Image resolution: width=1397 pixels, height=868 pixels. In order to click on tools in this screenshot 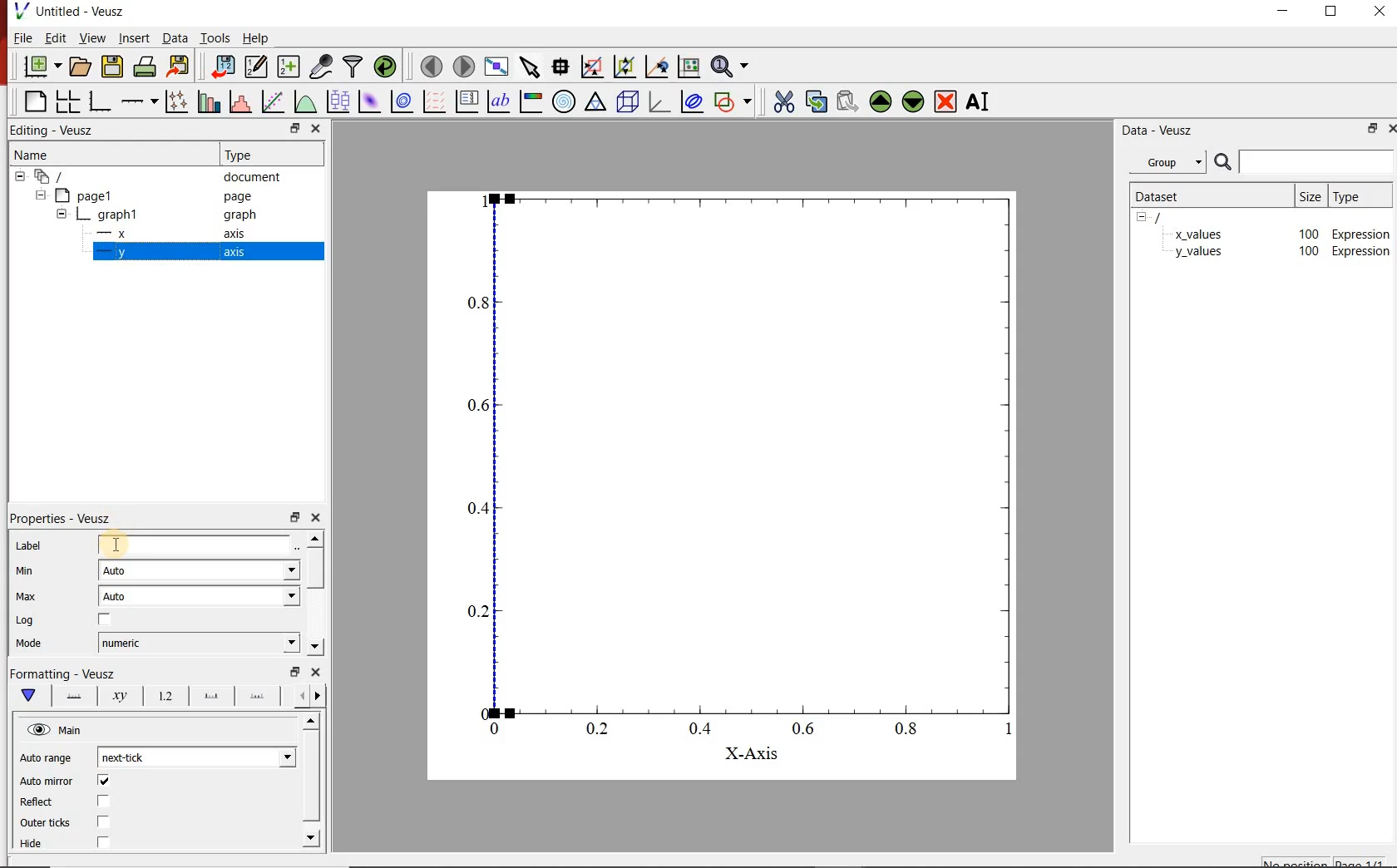, I will do `click(217, 37)`.